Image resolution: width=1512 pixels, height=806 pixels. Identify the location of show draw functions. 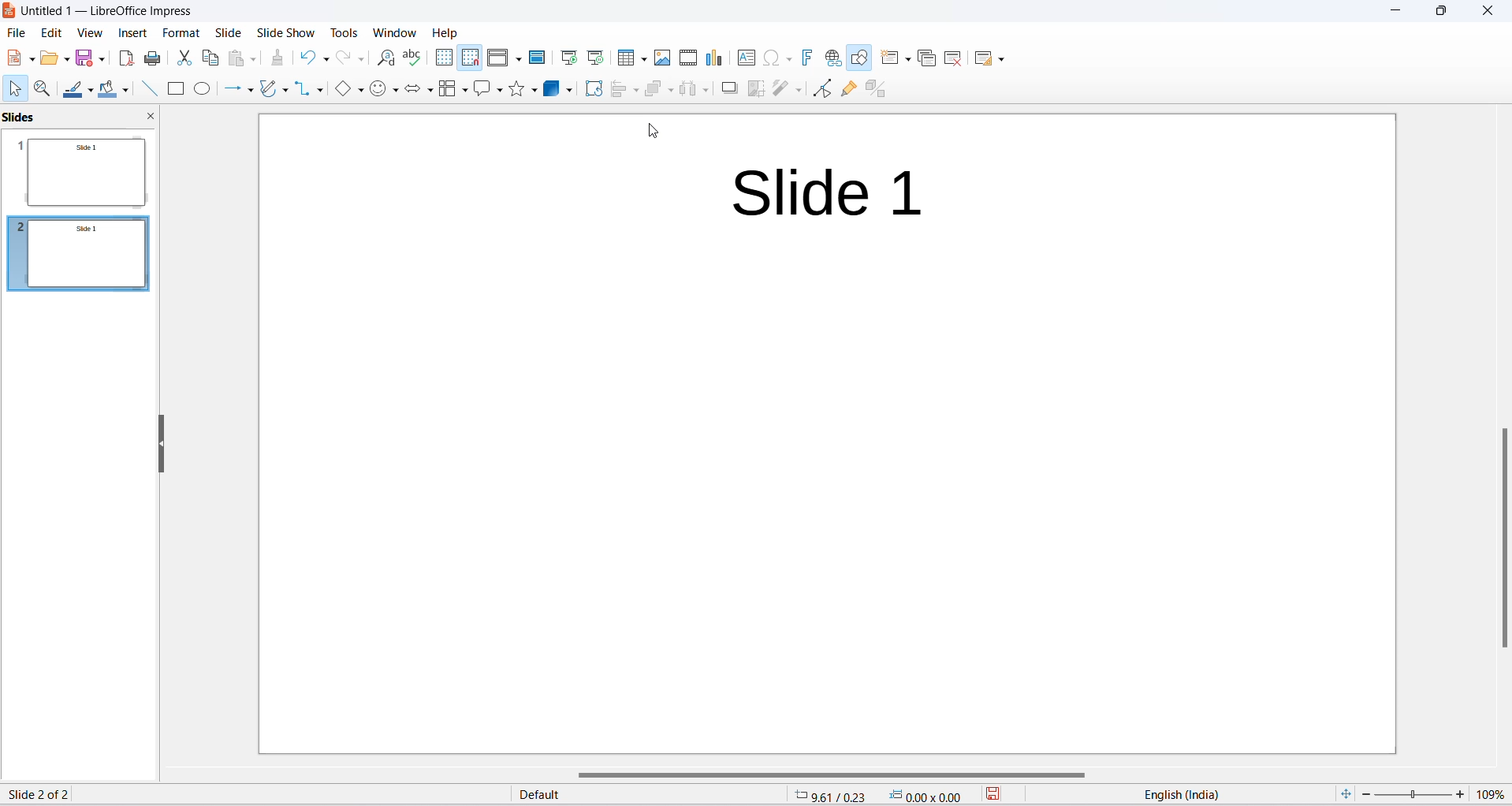
(858, 58).